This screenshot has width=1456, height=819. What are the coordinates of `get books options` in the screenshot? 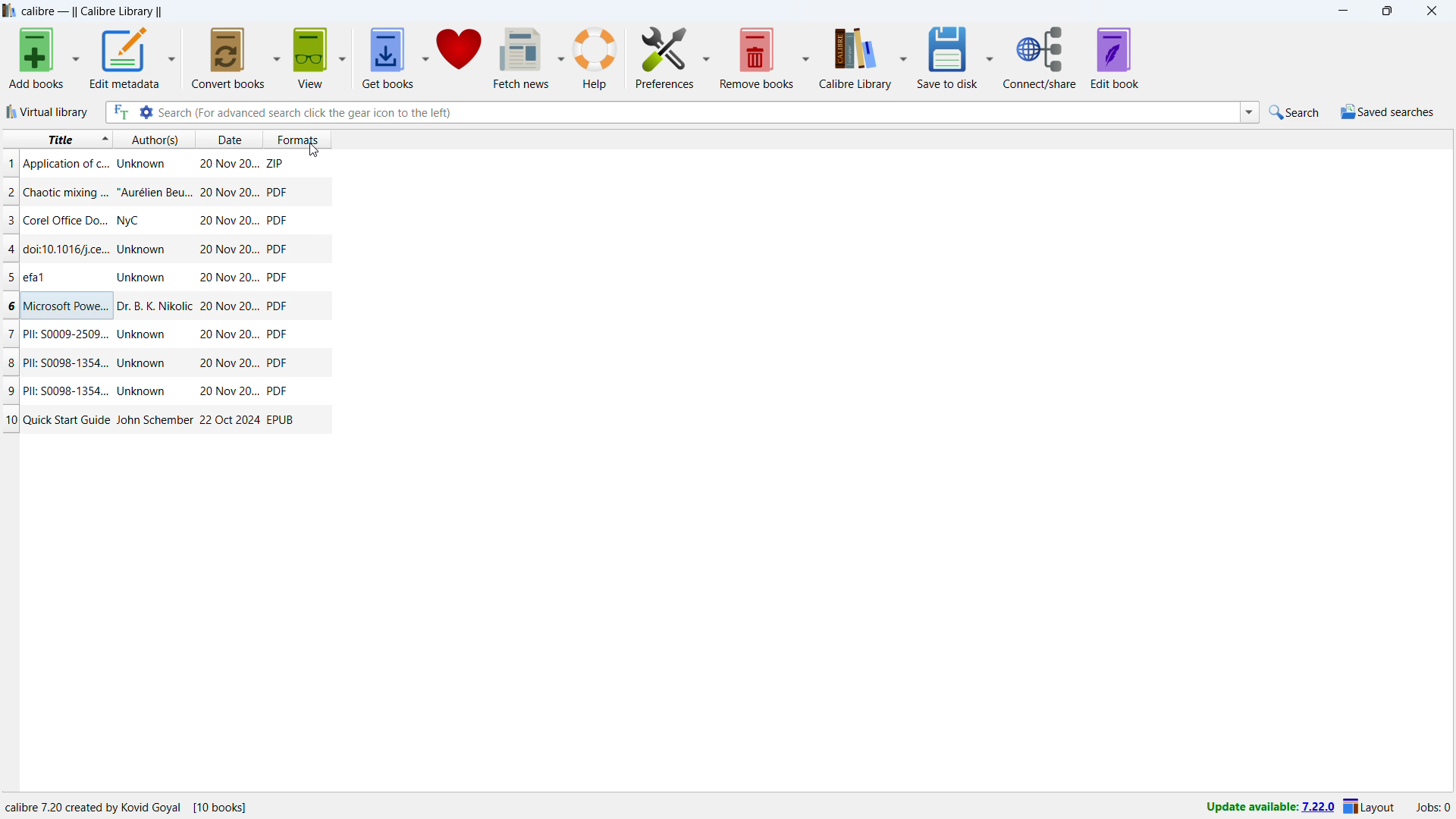 It's located at (426, 57).